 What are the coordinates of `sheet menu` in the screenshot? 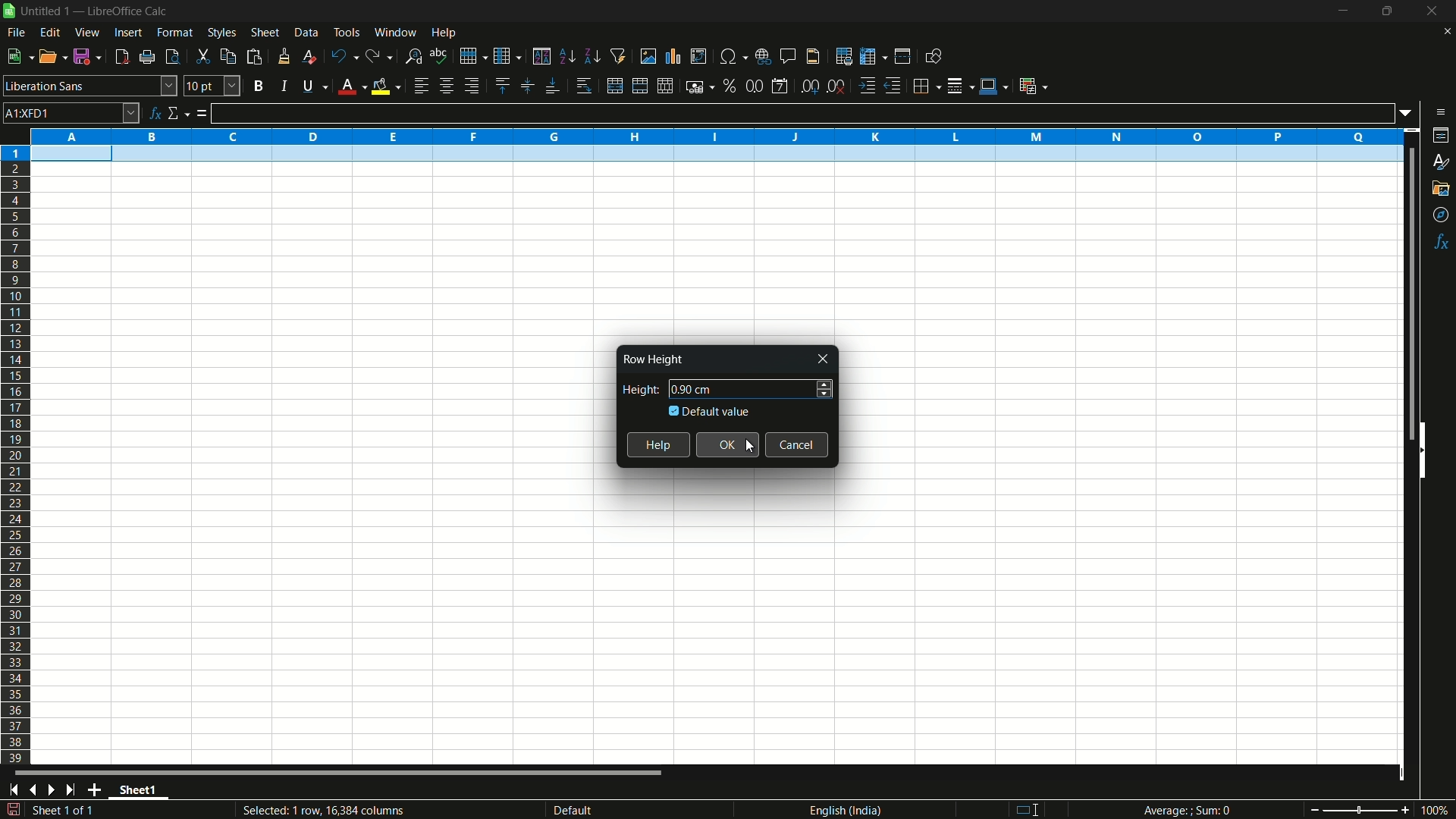 It's located at (265, 33).